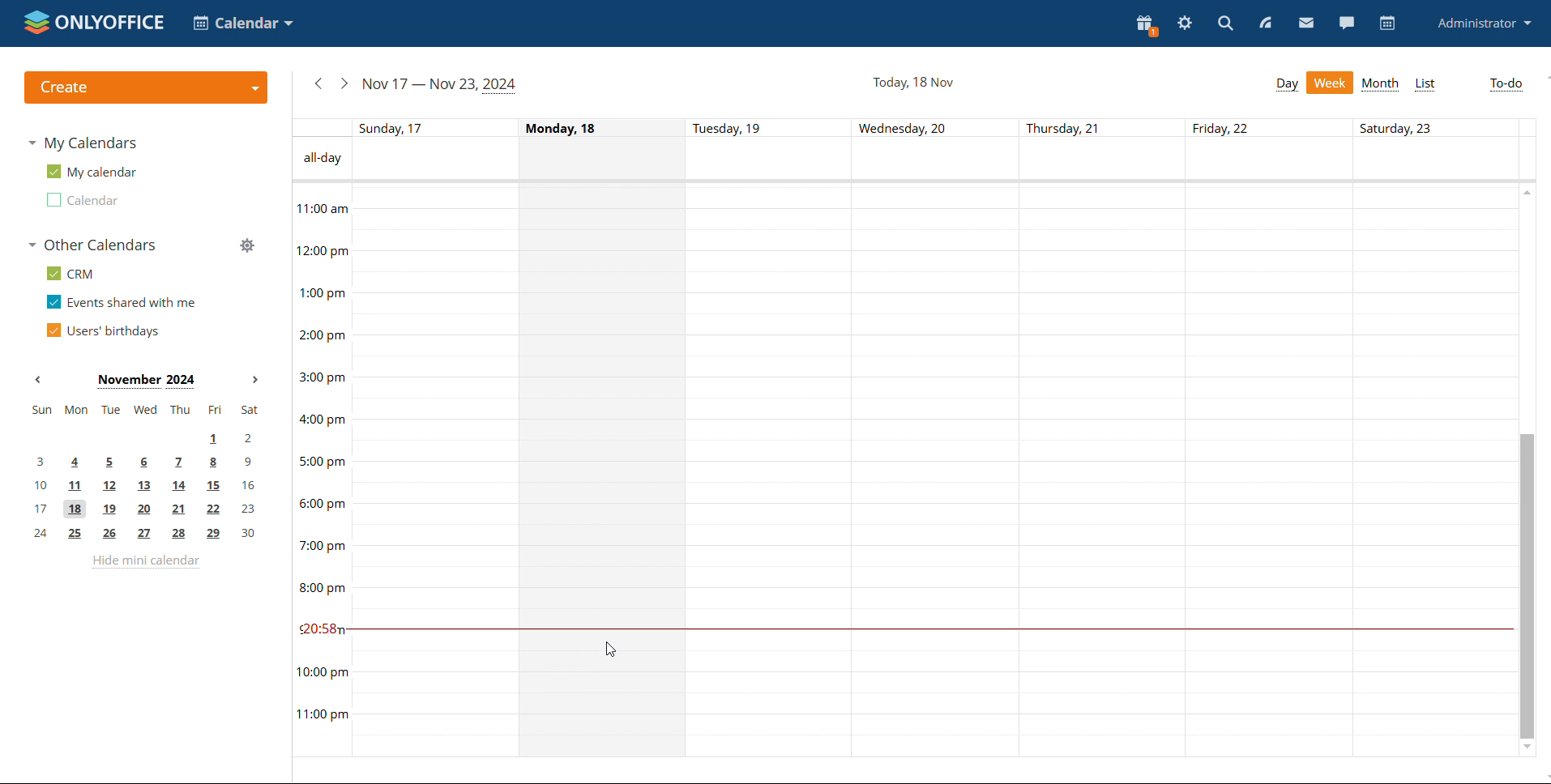 The image size is (1551, 784). I want to click on individual dates, so click(935, 127).